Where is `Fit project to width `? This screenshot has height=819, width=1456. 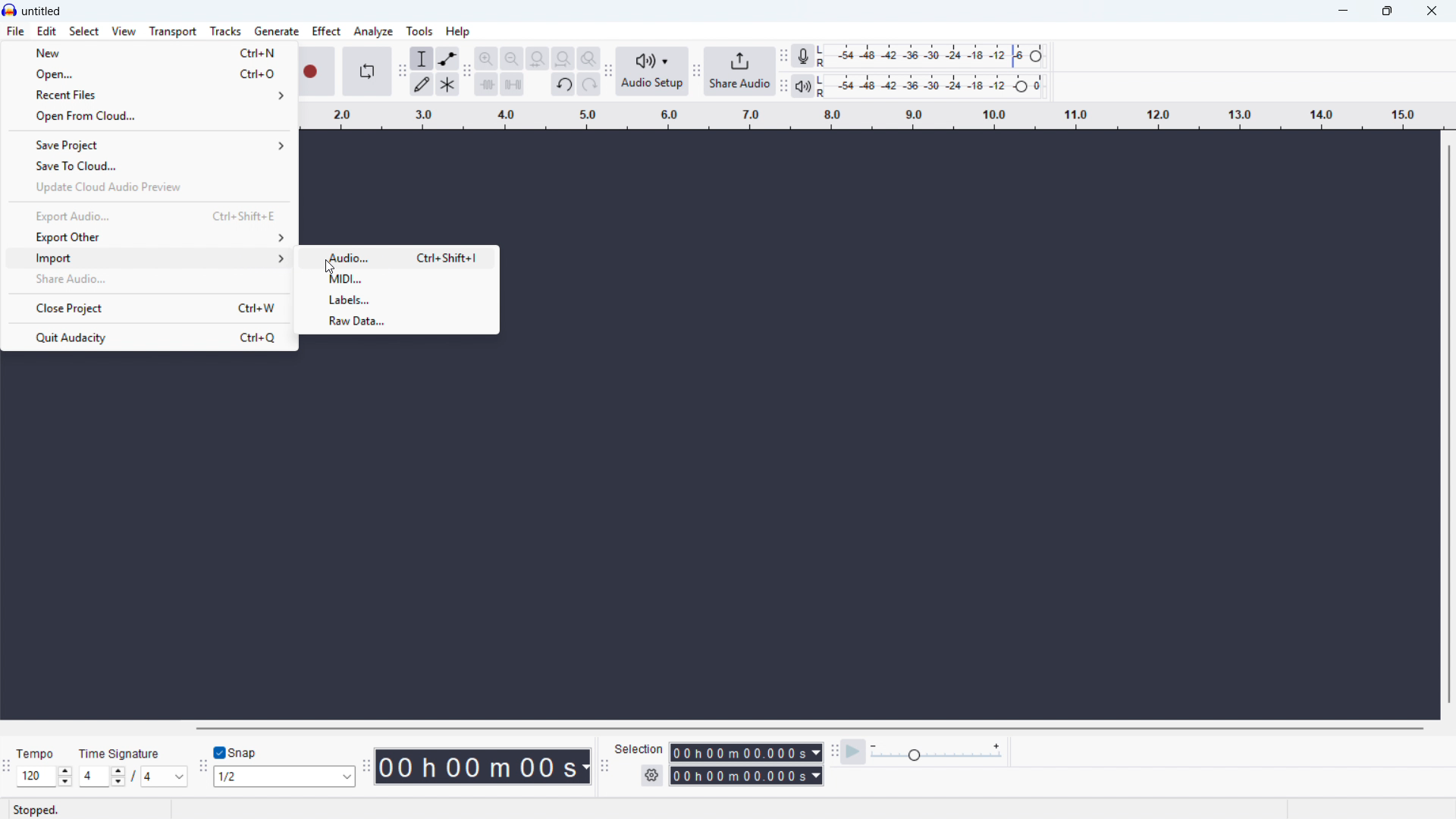 Fit project to width  is located at coordinates (538, 59).